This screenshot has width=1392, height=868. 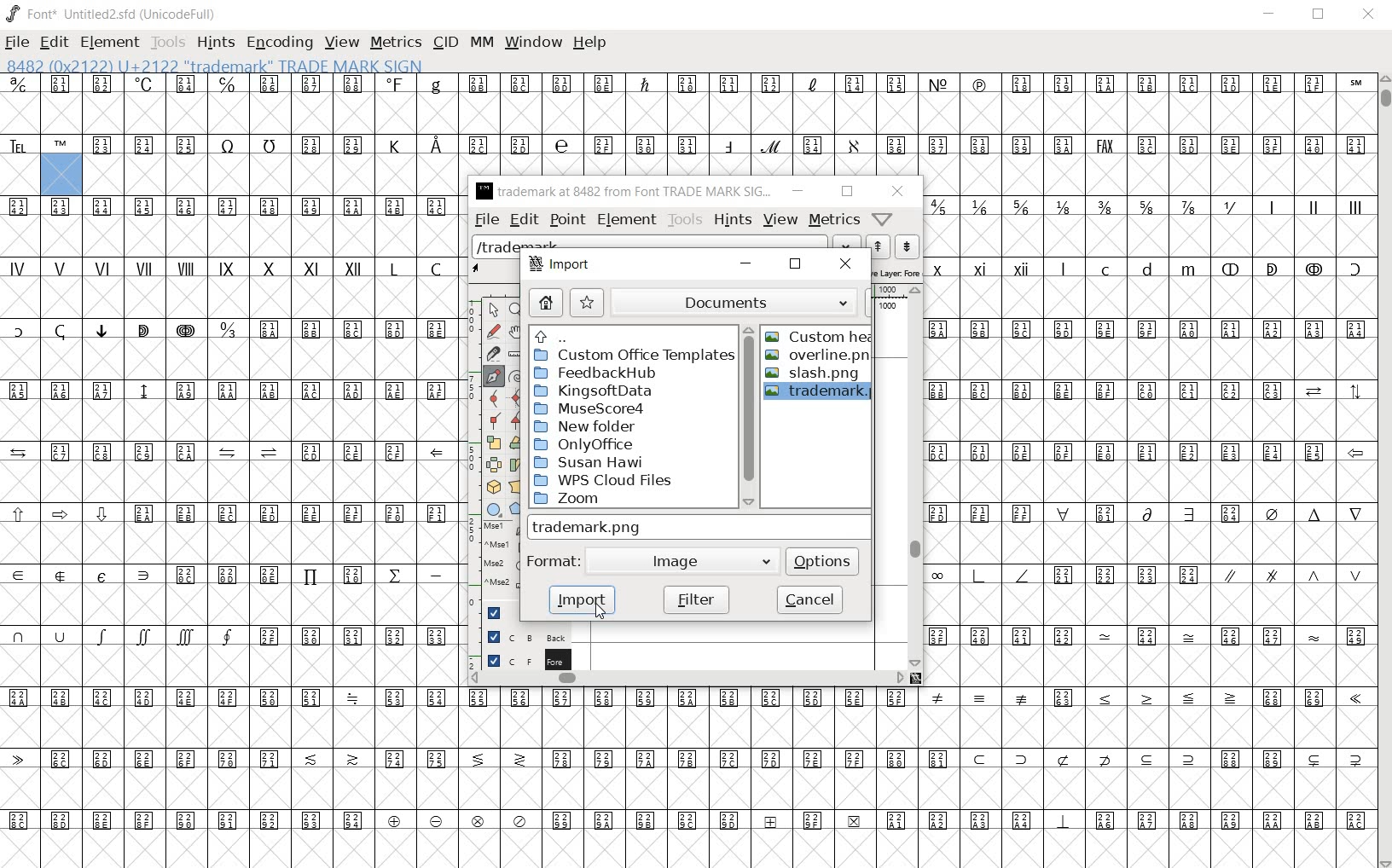 What do you see at coordinates (734, 220) in the screenshot?
I see `hints` at bounding box center [734, 220].